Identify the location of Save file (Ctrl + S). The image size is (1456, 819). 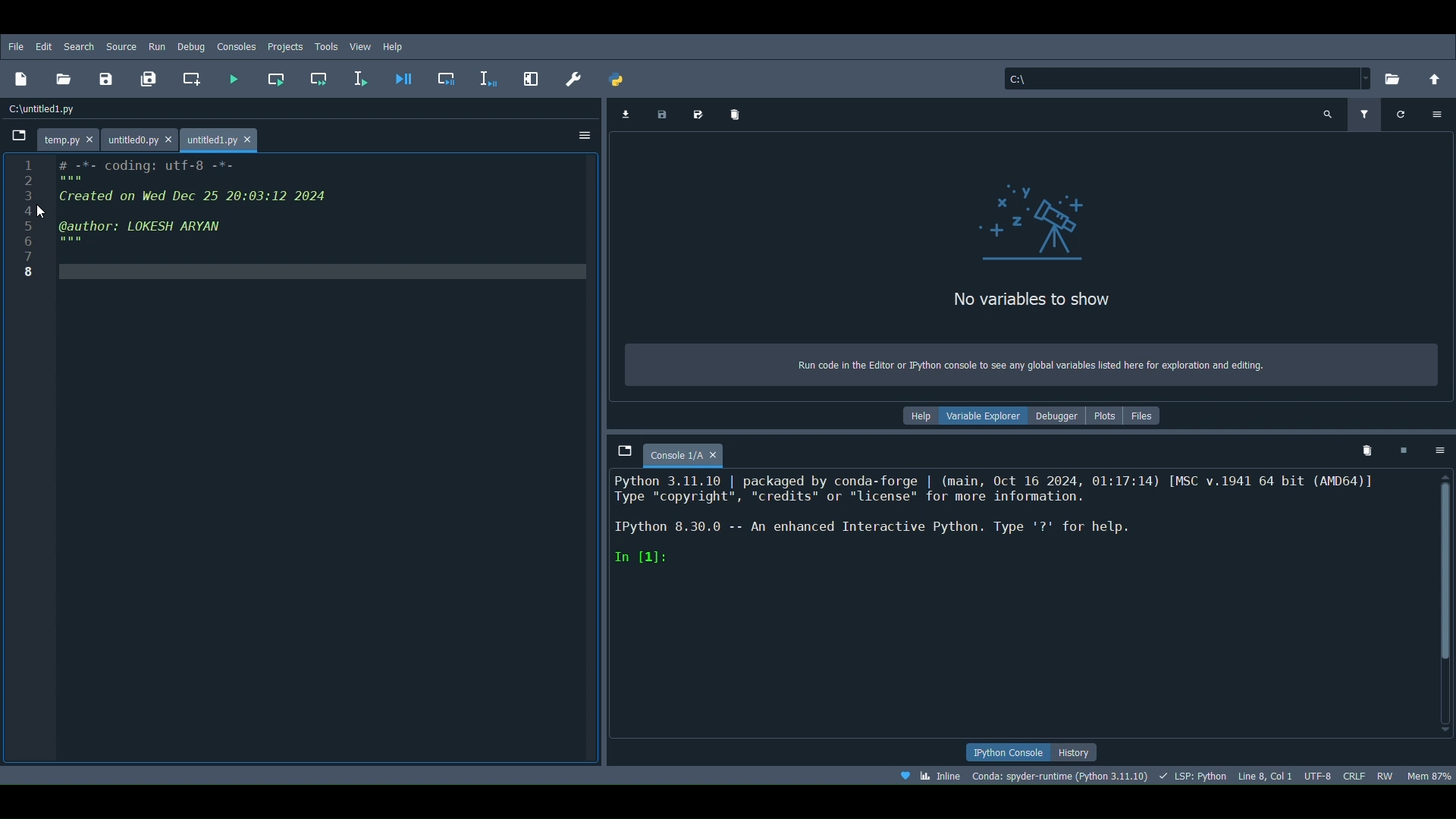
(110, 78).